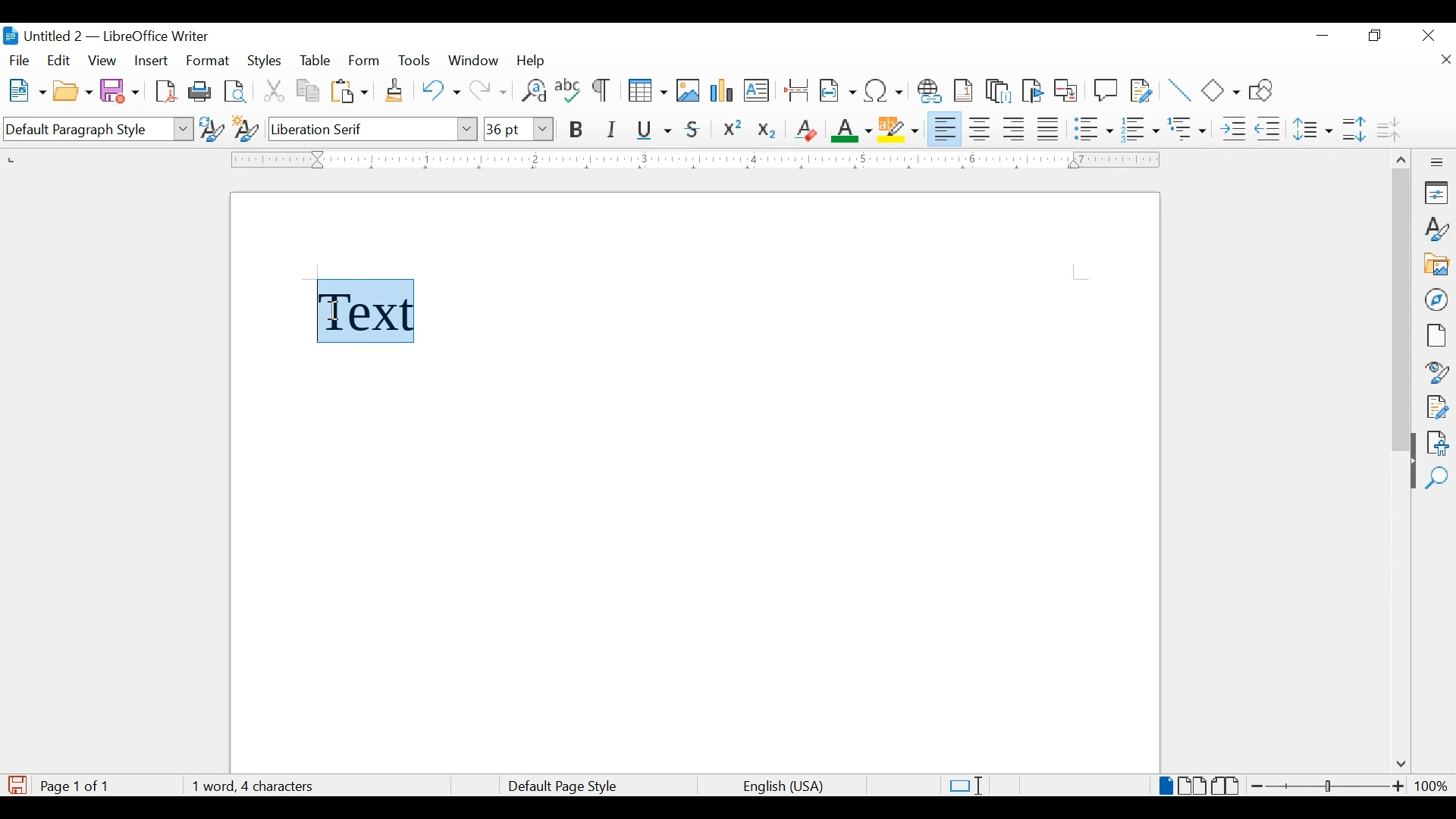 The image size is (1456, 819). Describe the element at coordinates (603, 92) in the screenshot. I see `toggle formatting marks` at that location.